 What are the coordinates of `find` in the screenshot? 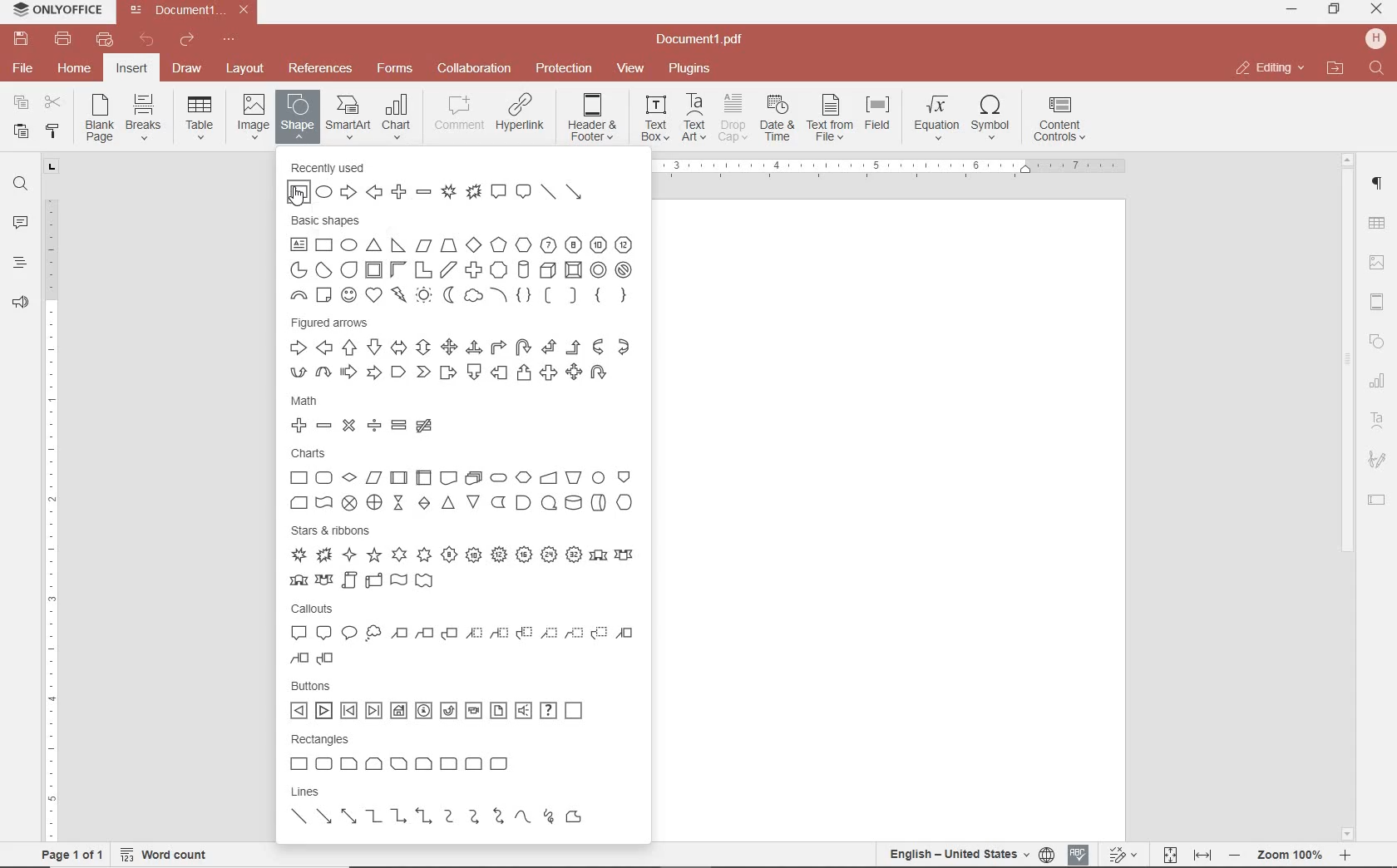 It's located at (20, 182).